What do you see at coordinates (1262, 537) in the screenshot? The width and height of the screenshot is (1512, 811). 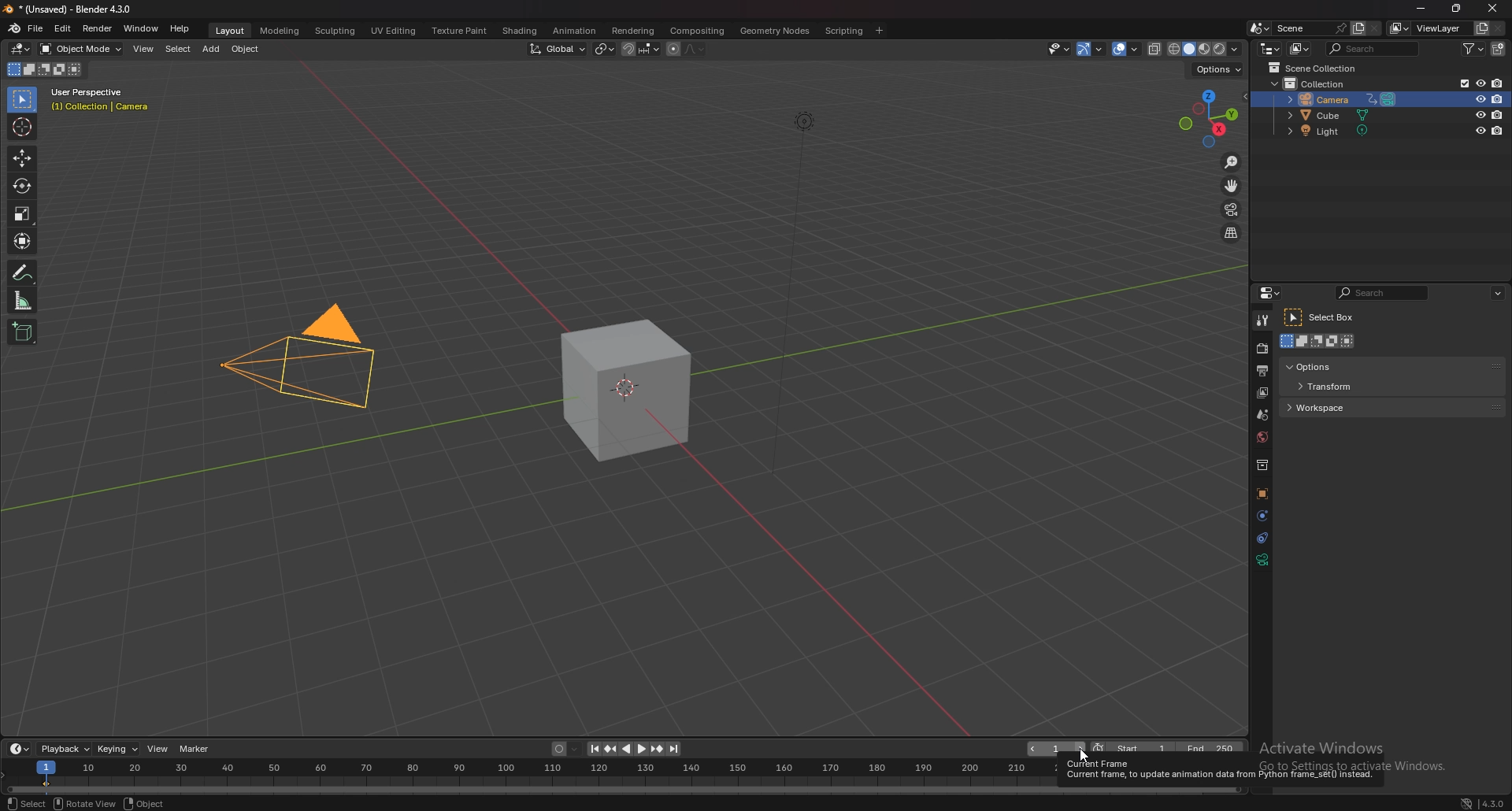 I see `constraints` at bounding box center [1262, 537].